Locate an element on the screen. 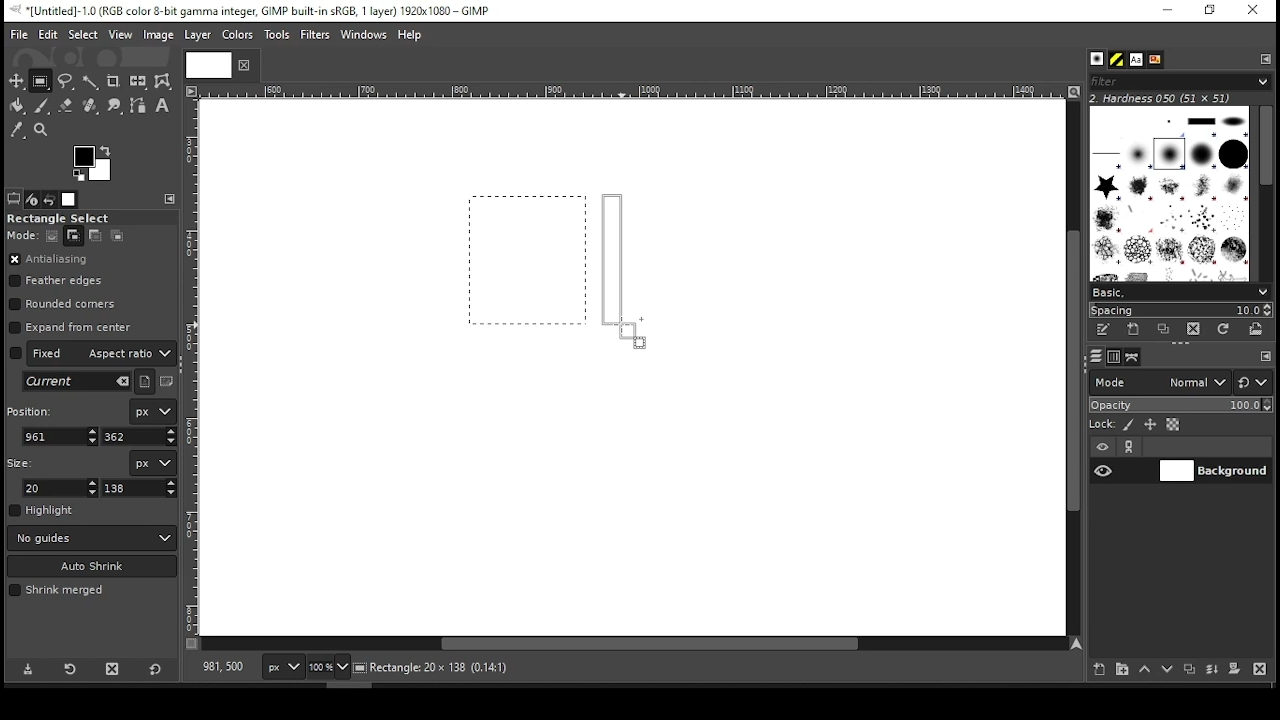 This screenshot has height=720, width=1280. warp transform tool is located at coordinates (162, 82).